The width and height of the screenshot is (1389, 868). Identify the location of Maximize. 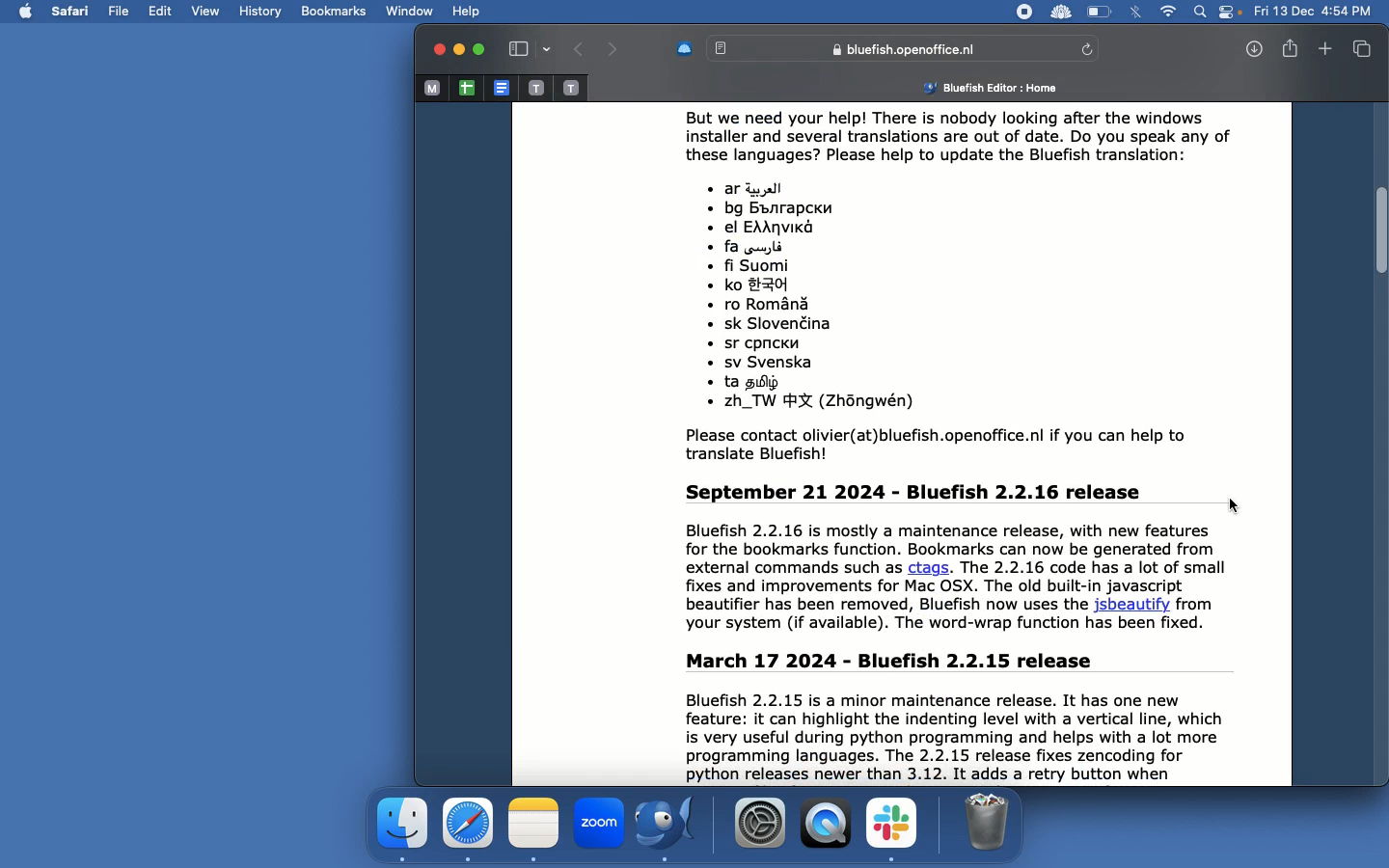
(481, 51).